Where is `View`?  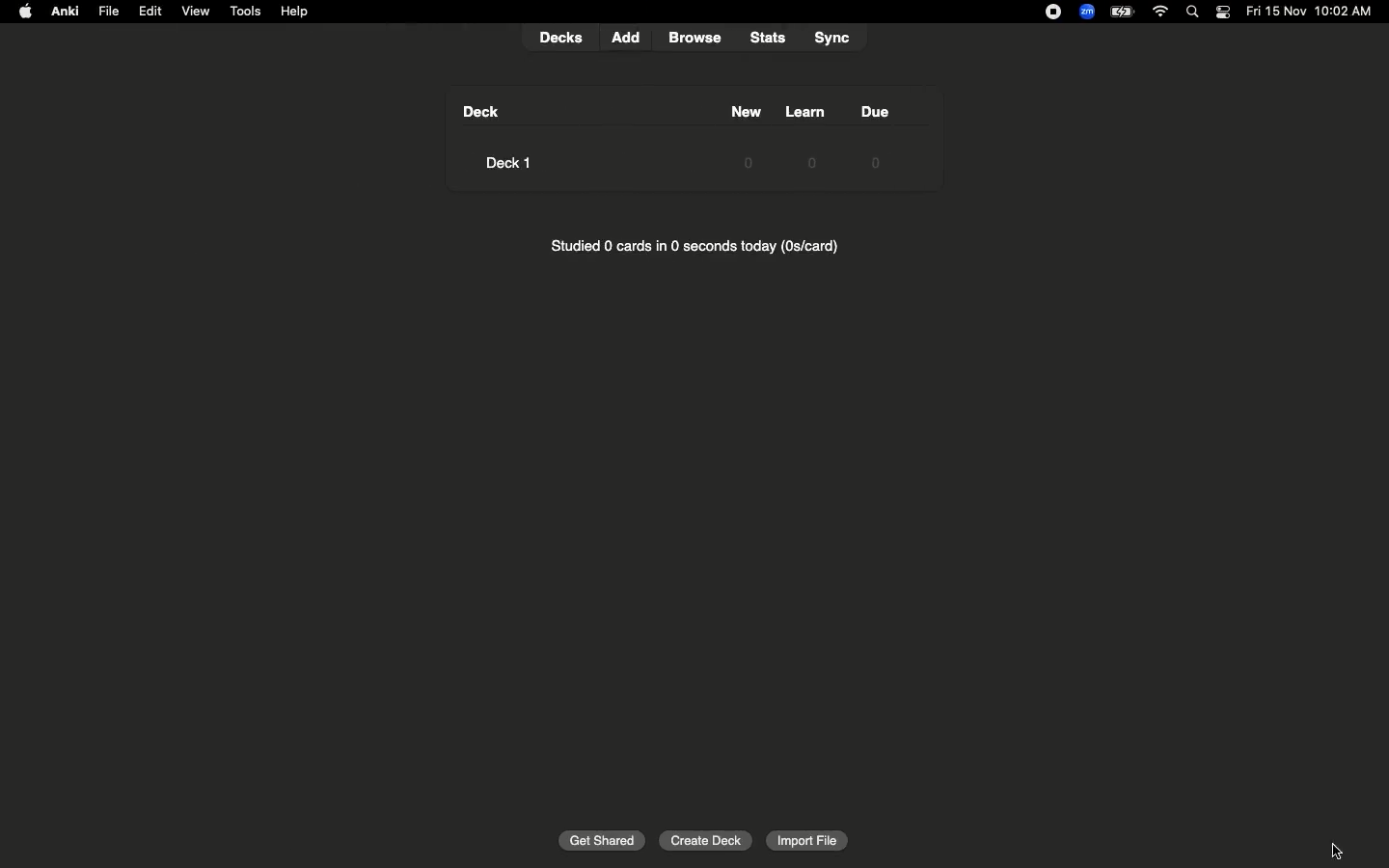 View is located at coordinates (198, 10).